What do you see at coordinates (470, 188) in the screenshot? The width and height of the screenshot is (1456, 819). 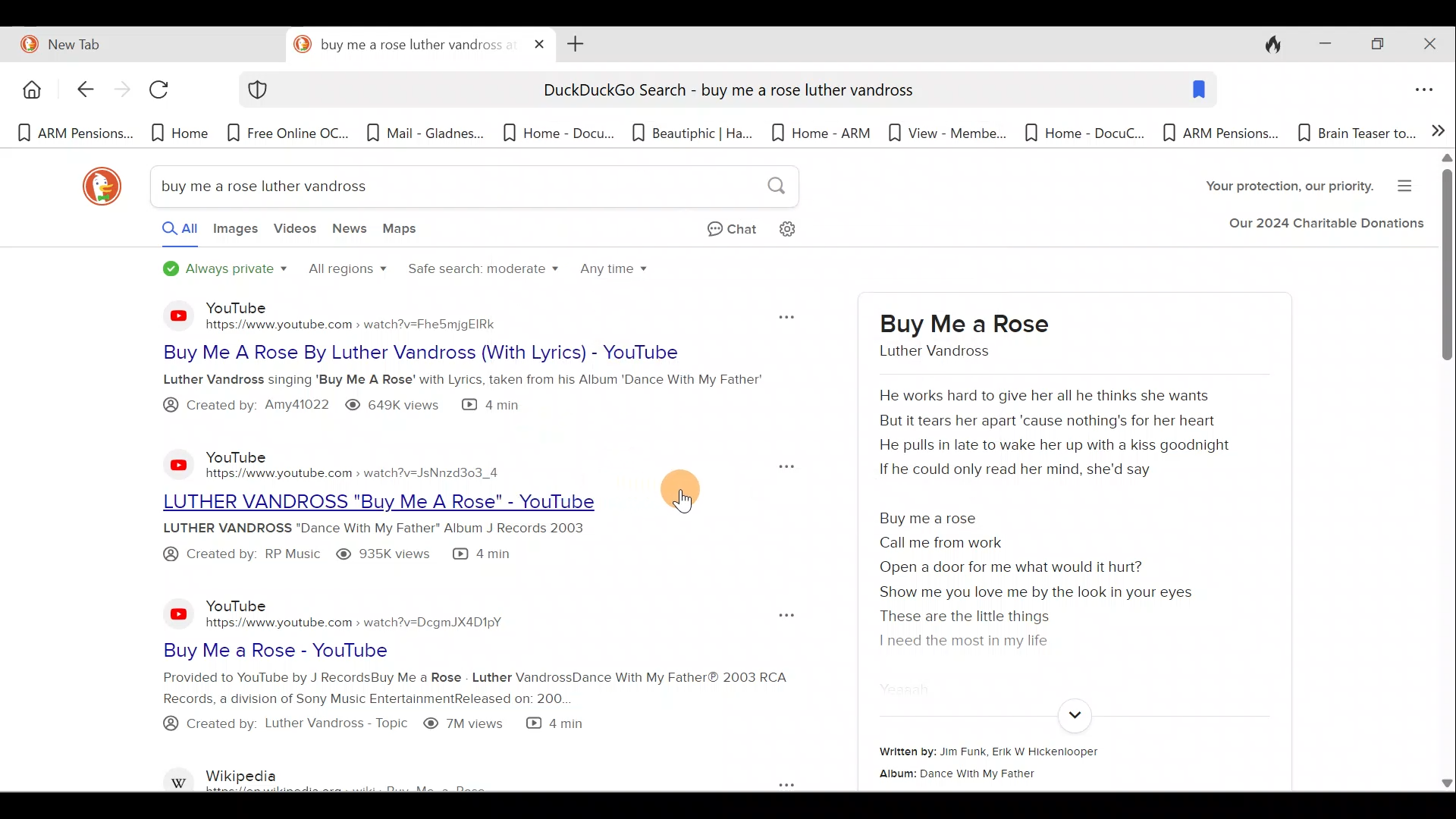 I see `buy me a rose luther vandross` at bounding box center [470, 188].